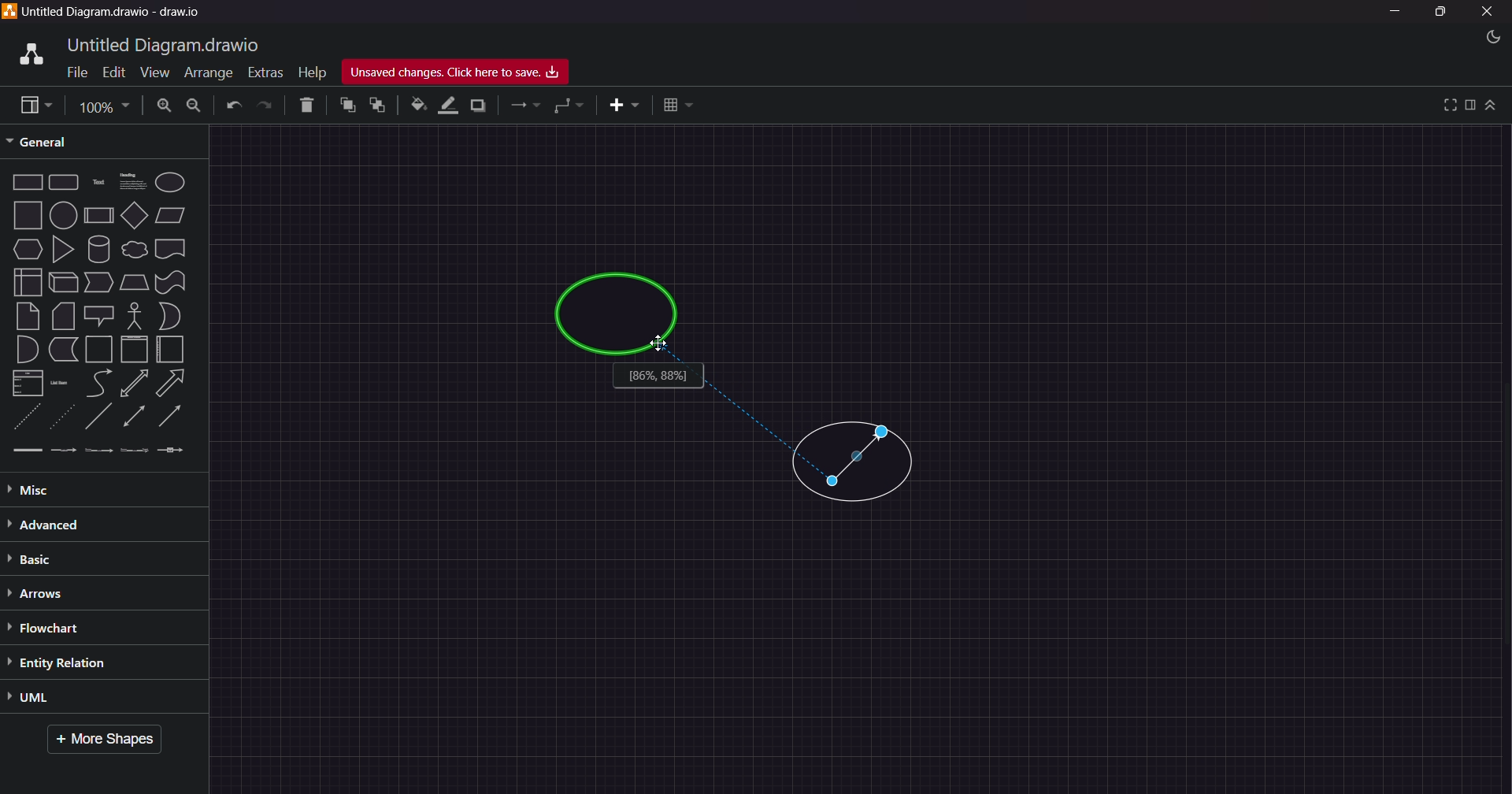  Describe the element at coordinates (1488, 12) in the screenshot. I see `Close` at that location.